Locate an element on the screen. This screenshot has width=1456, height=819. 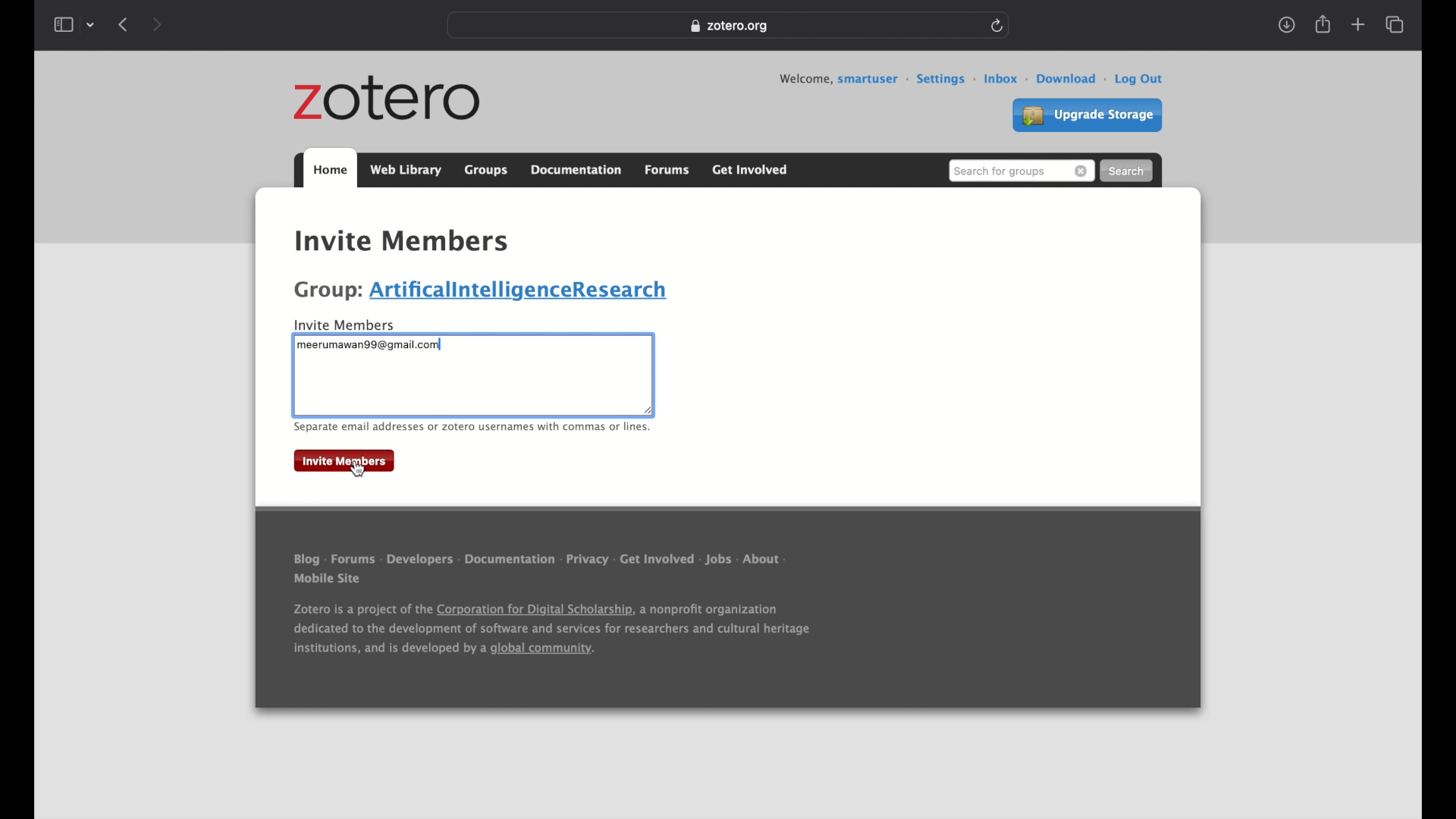
home is located at coordinates (315, 212).